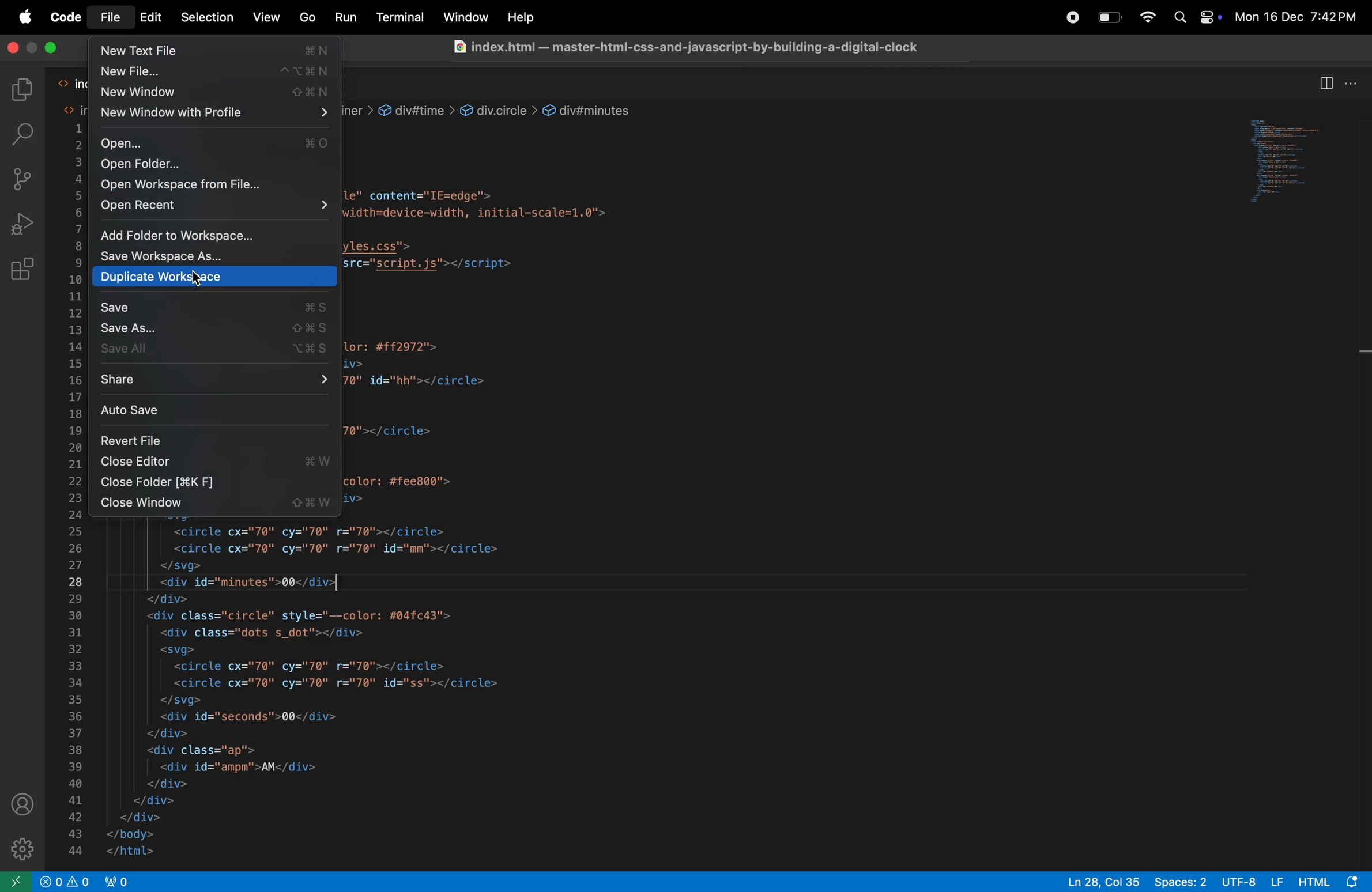  What do you see at coordinates (685, 48) in the screenshot?
I see `index.html — master-html-css-and-javascript-by-building-a-digital-clock` at bounding box center [685, 48].